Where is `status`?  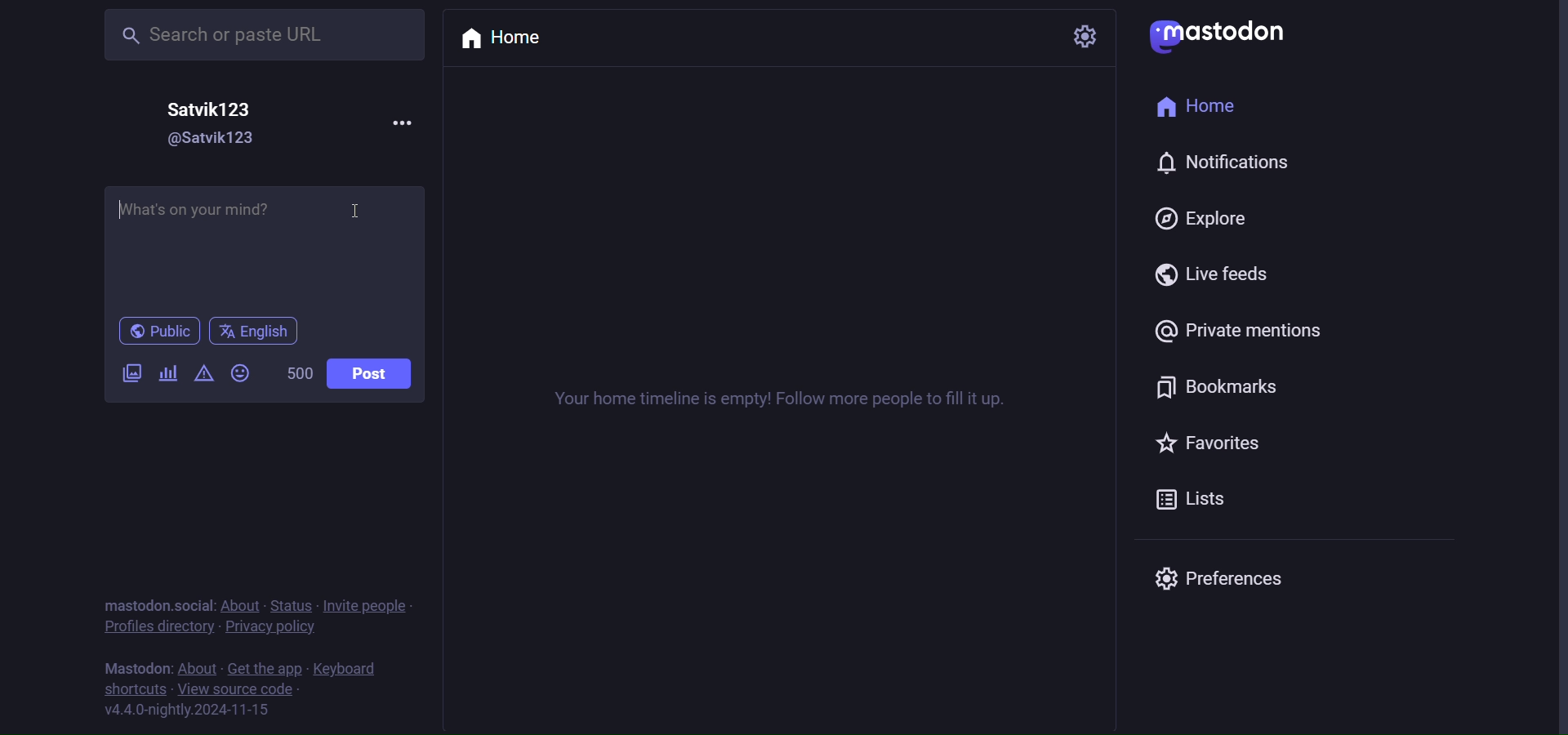 status is located at coordinates (296, 606).